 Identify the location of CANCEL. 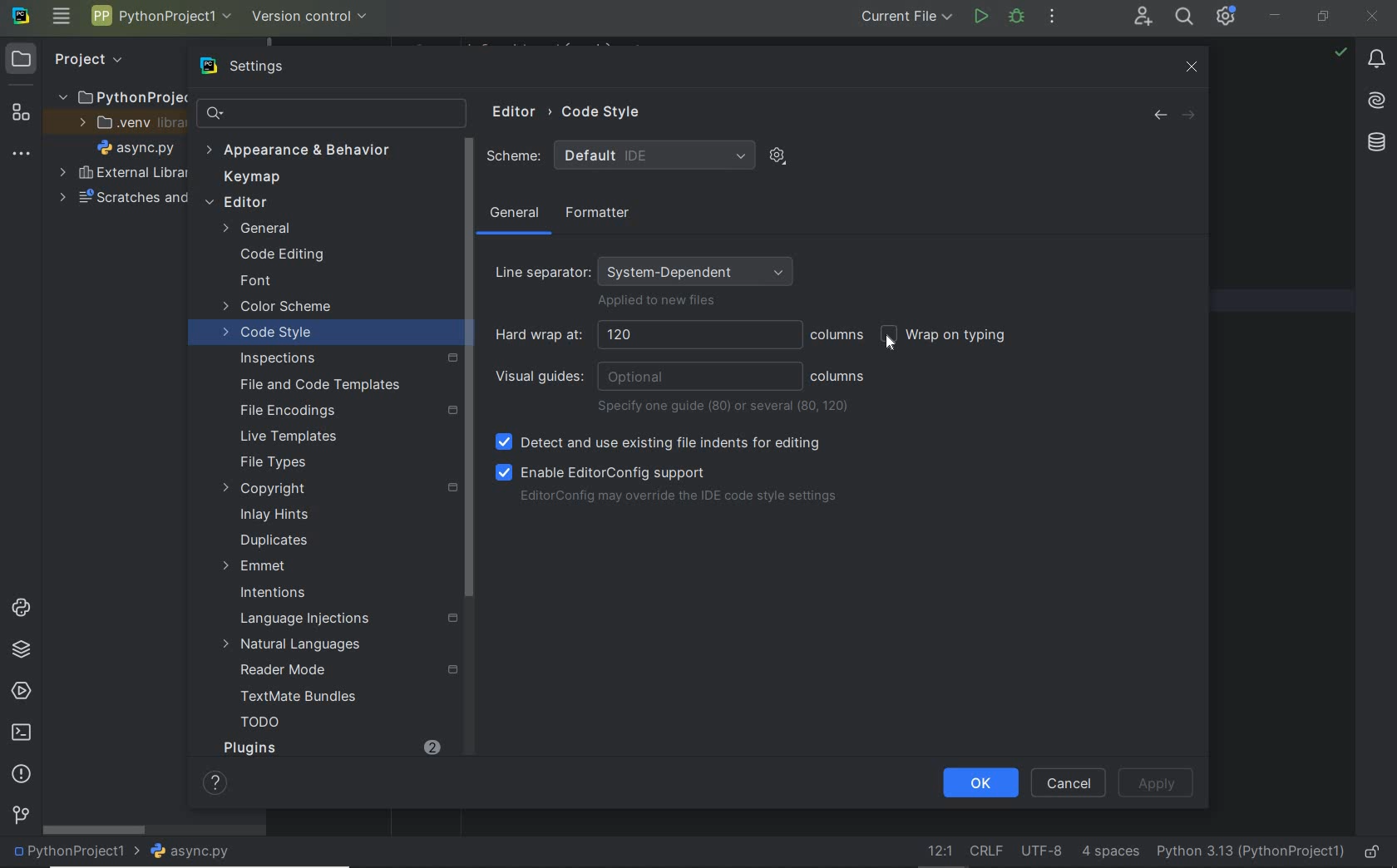
(1069, 782).